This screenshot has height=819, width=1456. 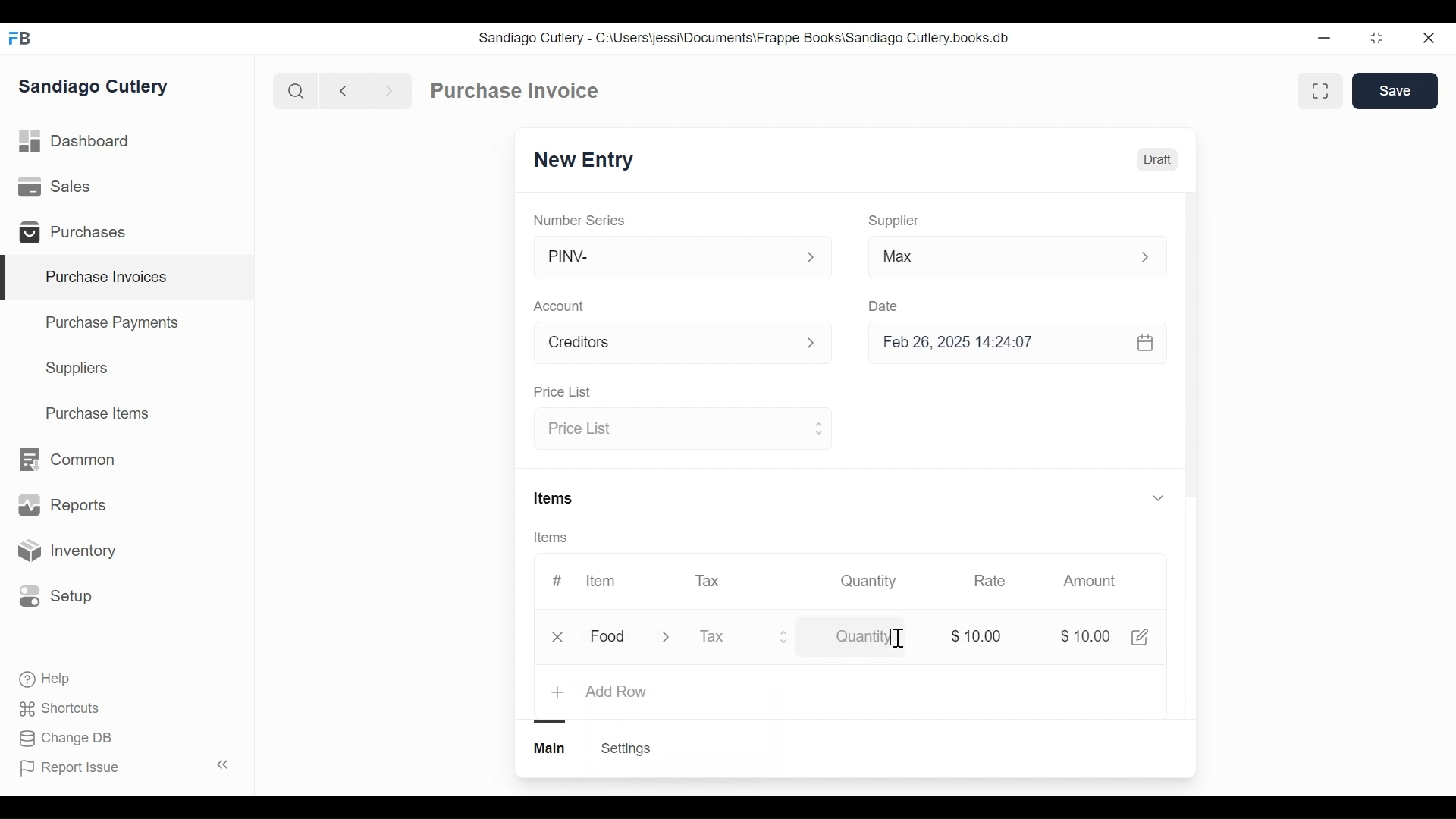 What do you see at coordinates (560, 692) in the screenshot?
I see `+` at bounding box center [560, 692].